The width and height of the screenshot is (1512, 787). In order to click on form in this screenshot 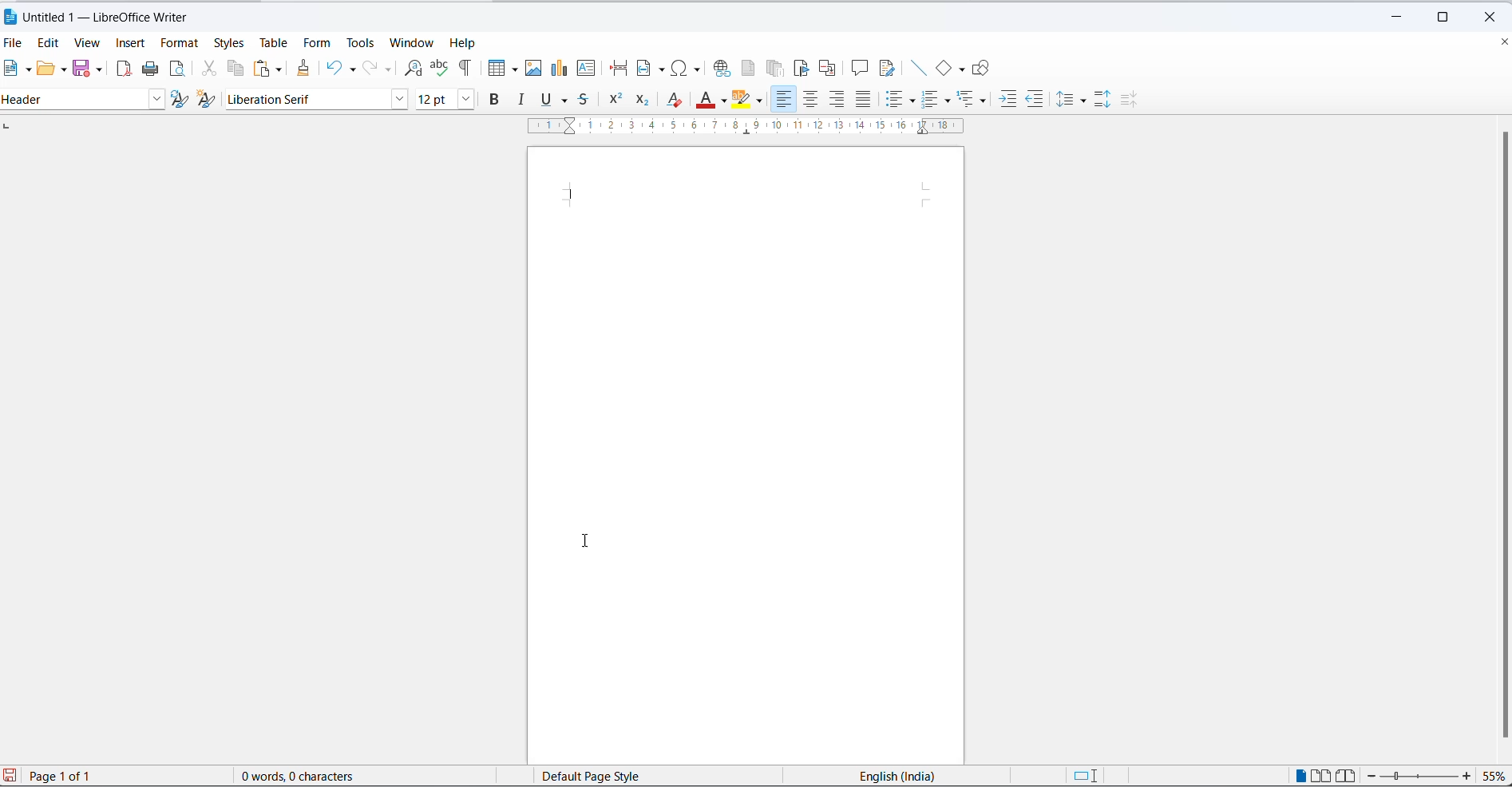, I will do `click(319, 43)`.